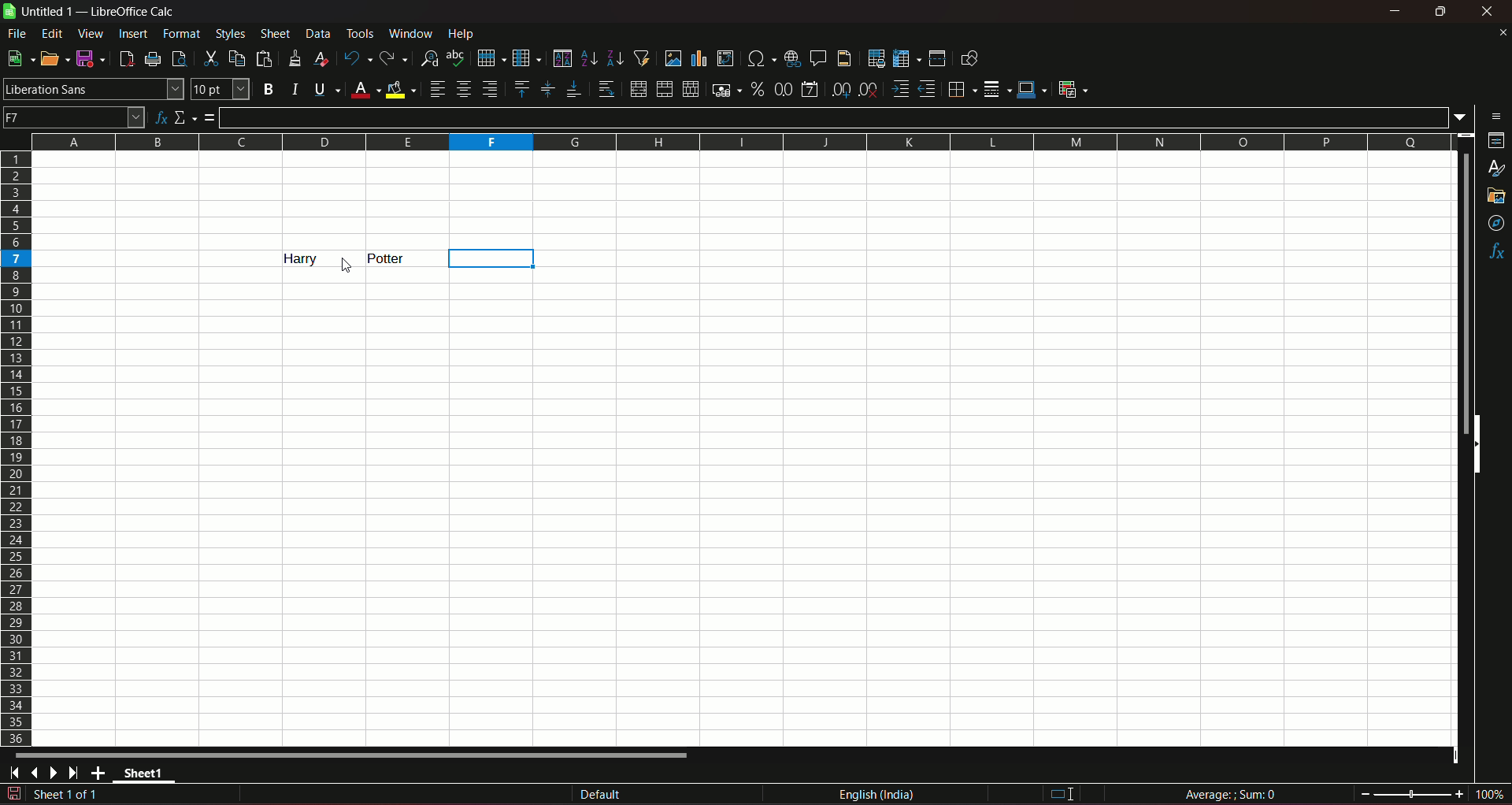 This screenshot has width=1512, height=805. Describe the element at coordinates (547, 89) in the screenshot. I see `center vertically` at that location.